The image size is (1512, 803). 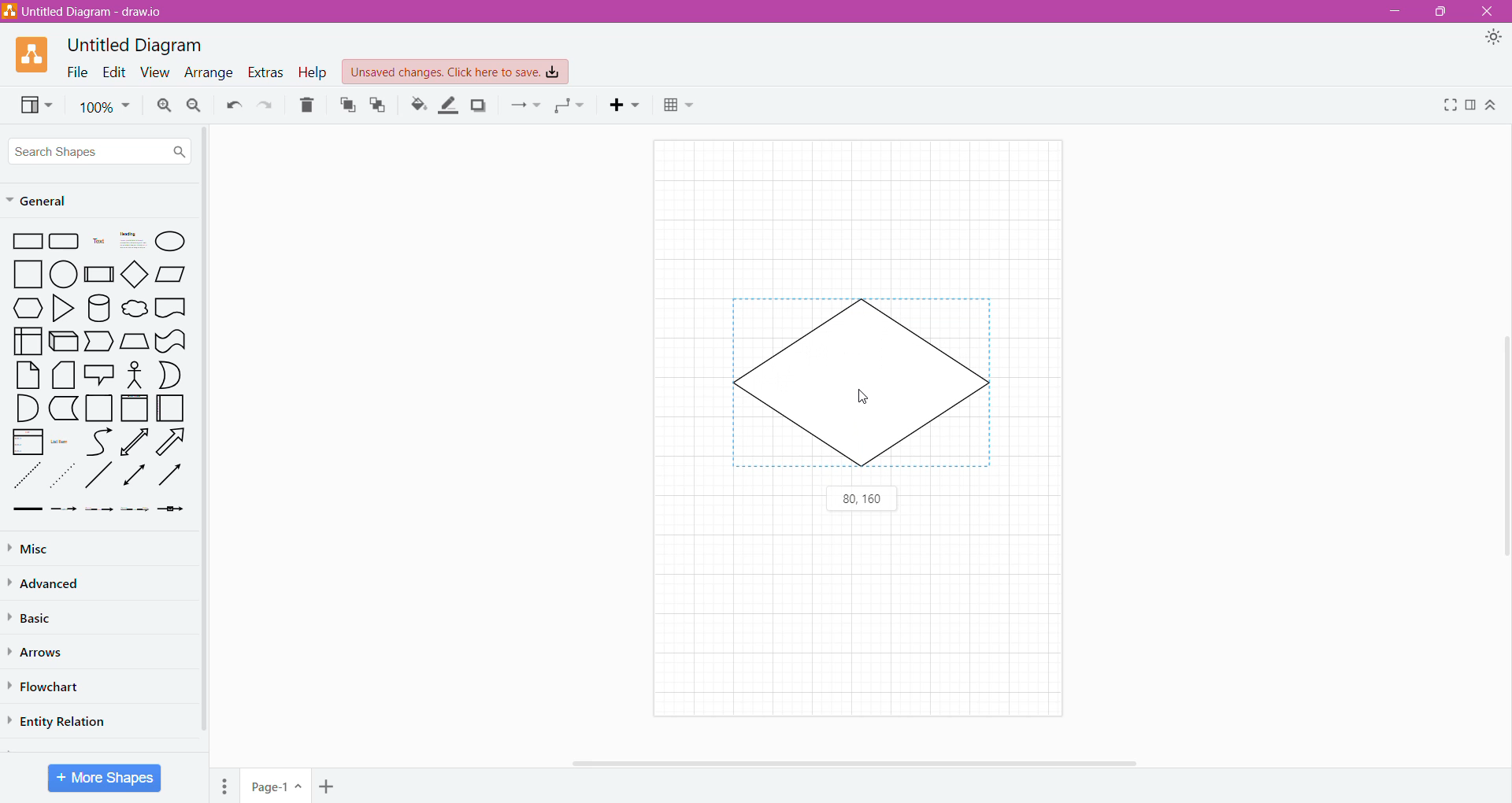 I want to click on Undo, so click(x=232, y=105).